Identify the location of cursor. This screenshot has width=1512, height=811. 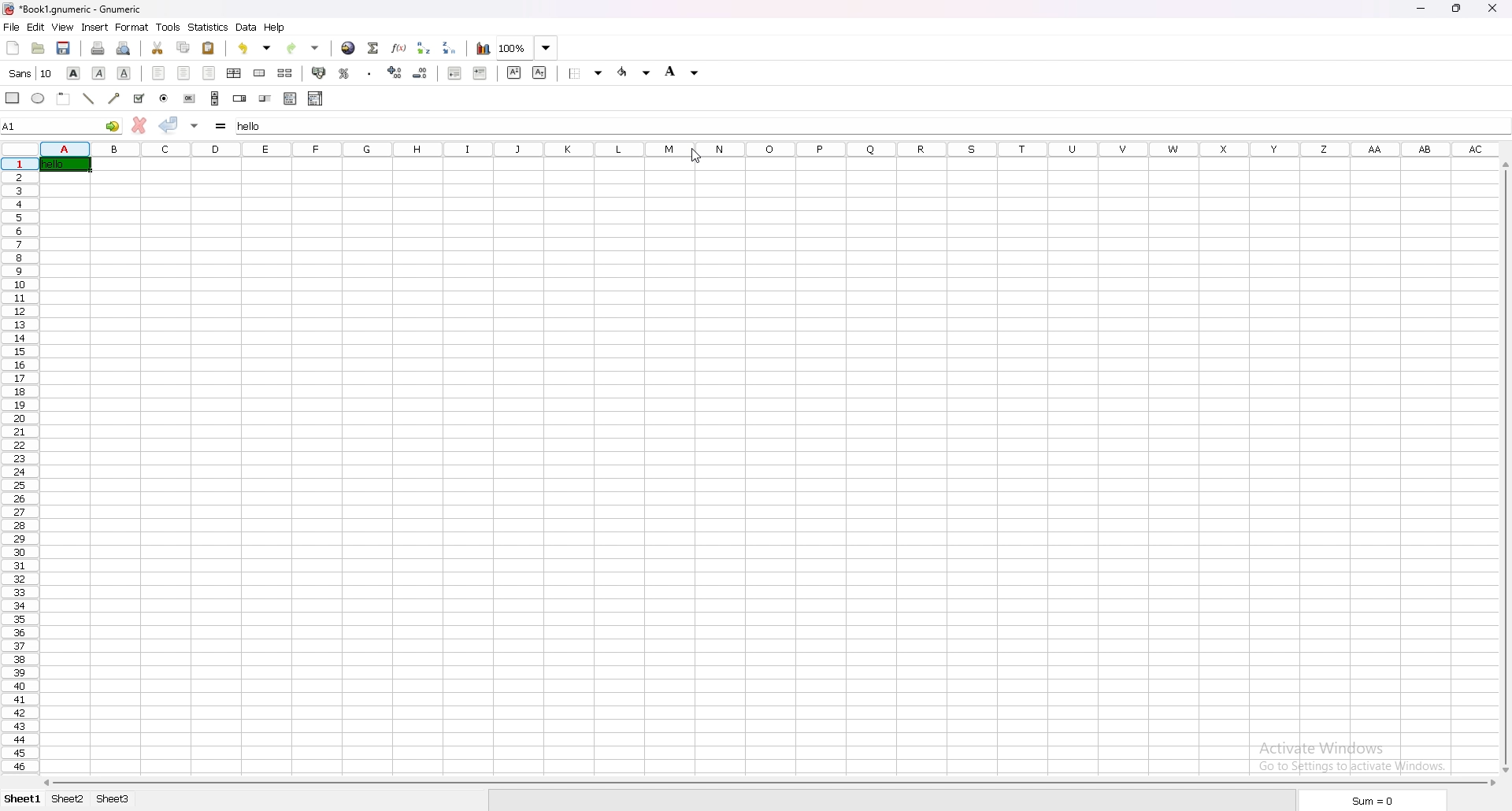
(695, 156).